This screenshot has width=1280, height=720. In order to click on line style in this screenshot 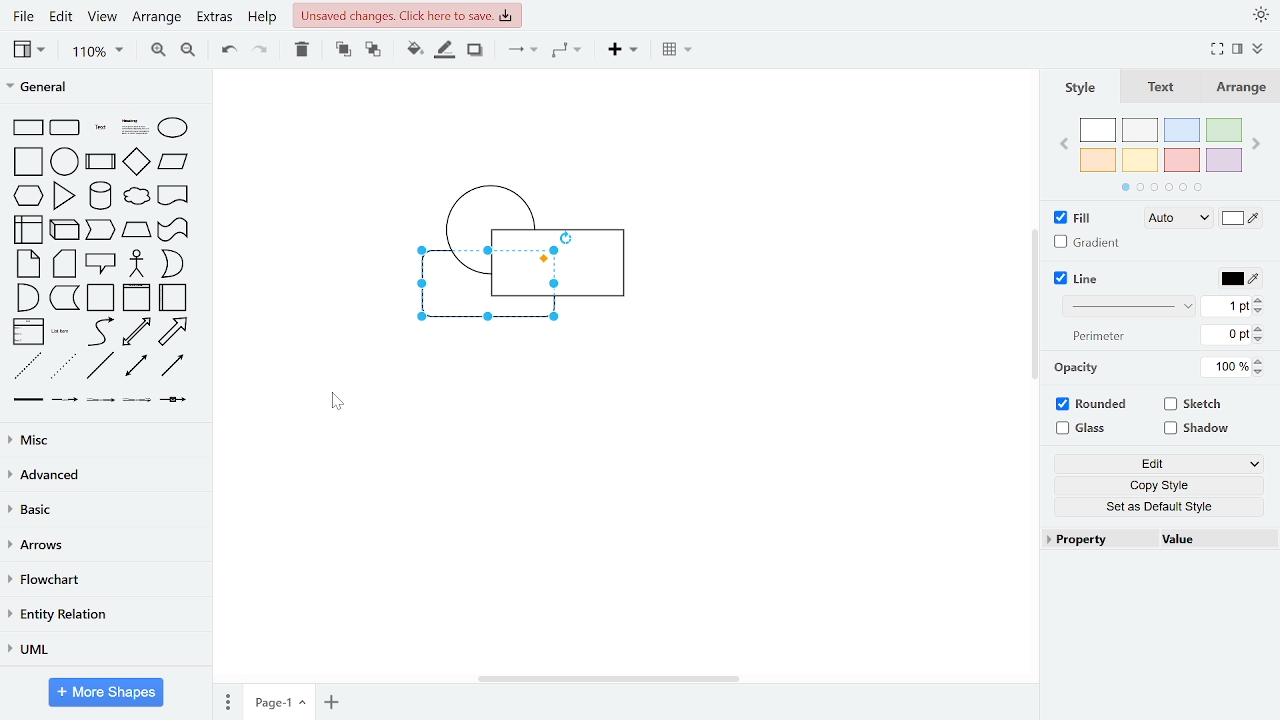, I will do `click(1126, 307)`.